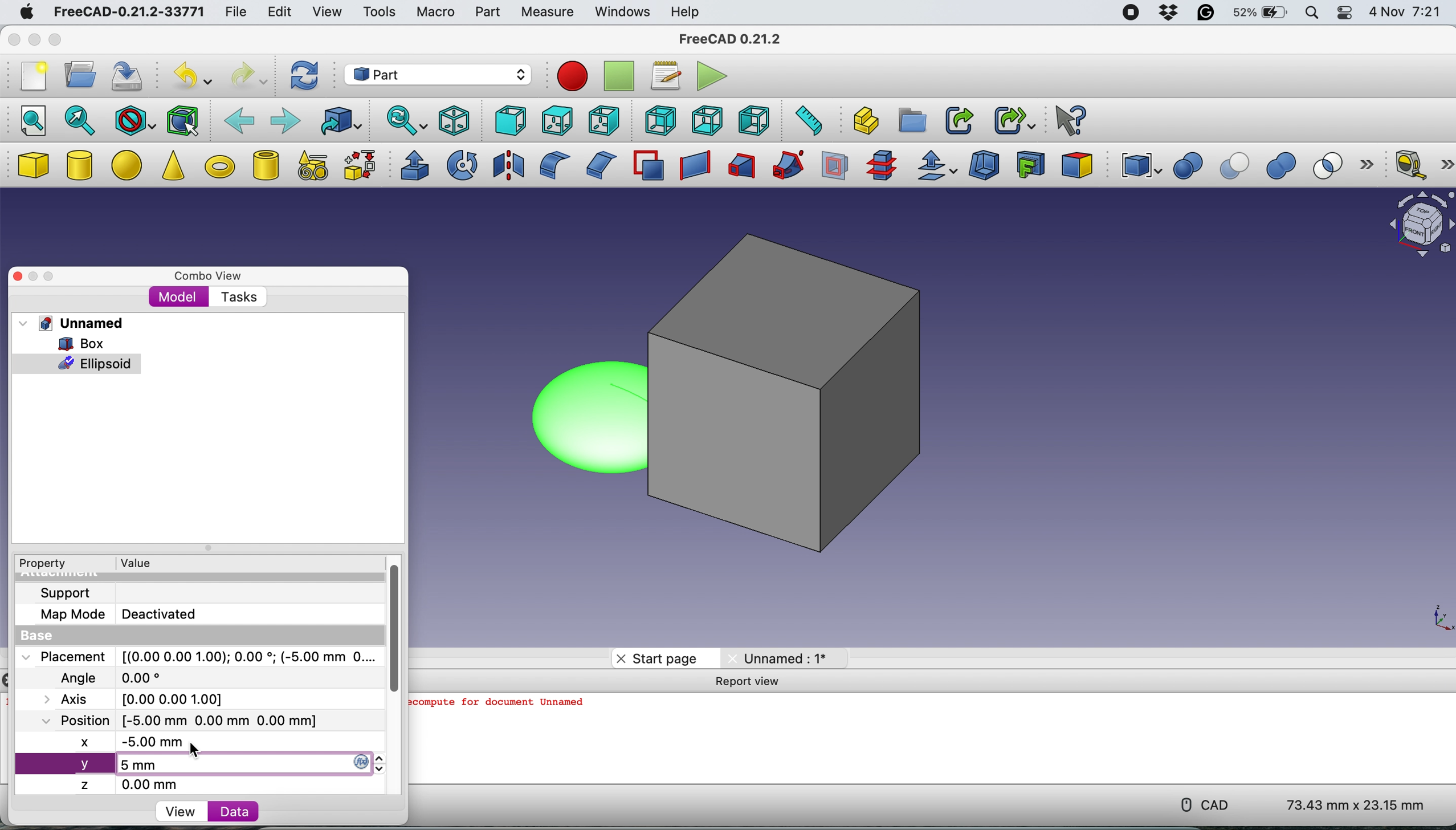  I want to click on box, so click(32, 166).